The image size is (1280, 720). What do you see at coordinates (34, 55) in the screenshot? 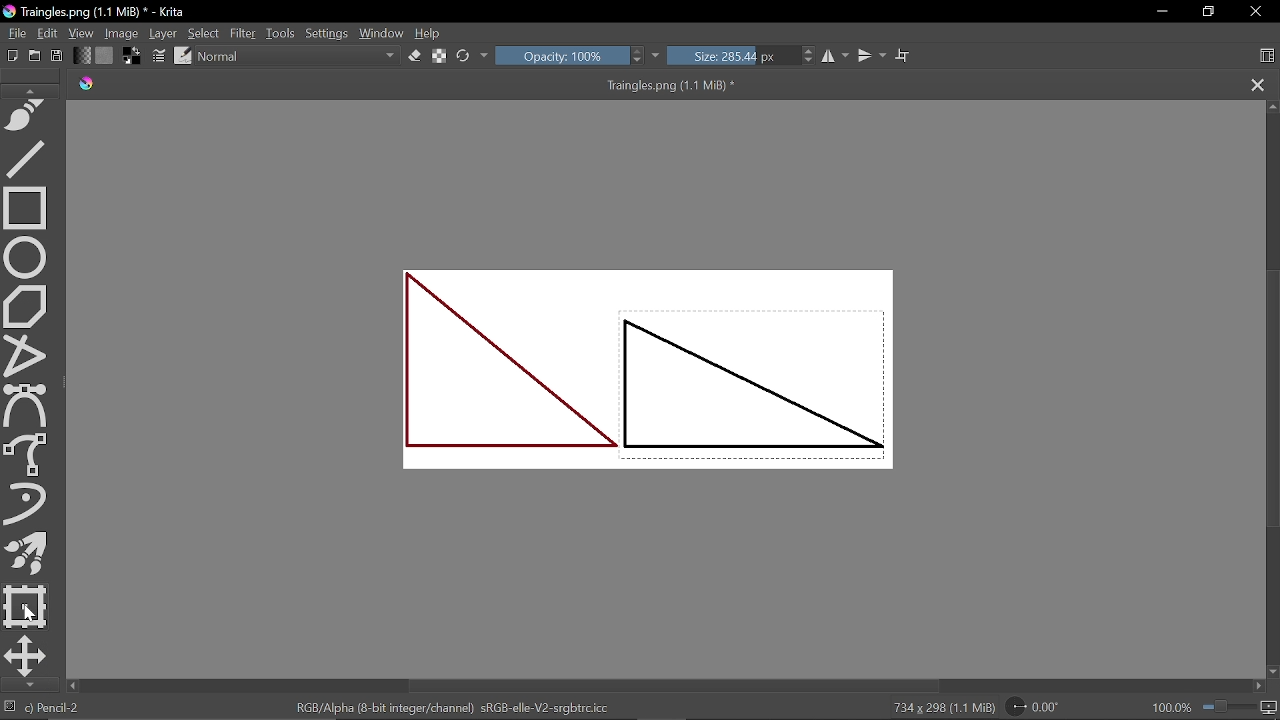
I see `Open document` at bounding box center [34, 55].